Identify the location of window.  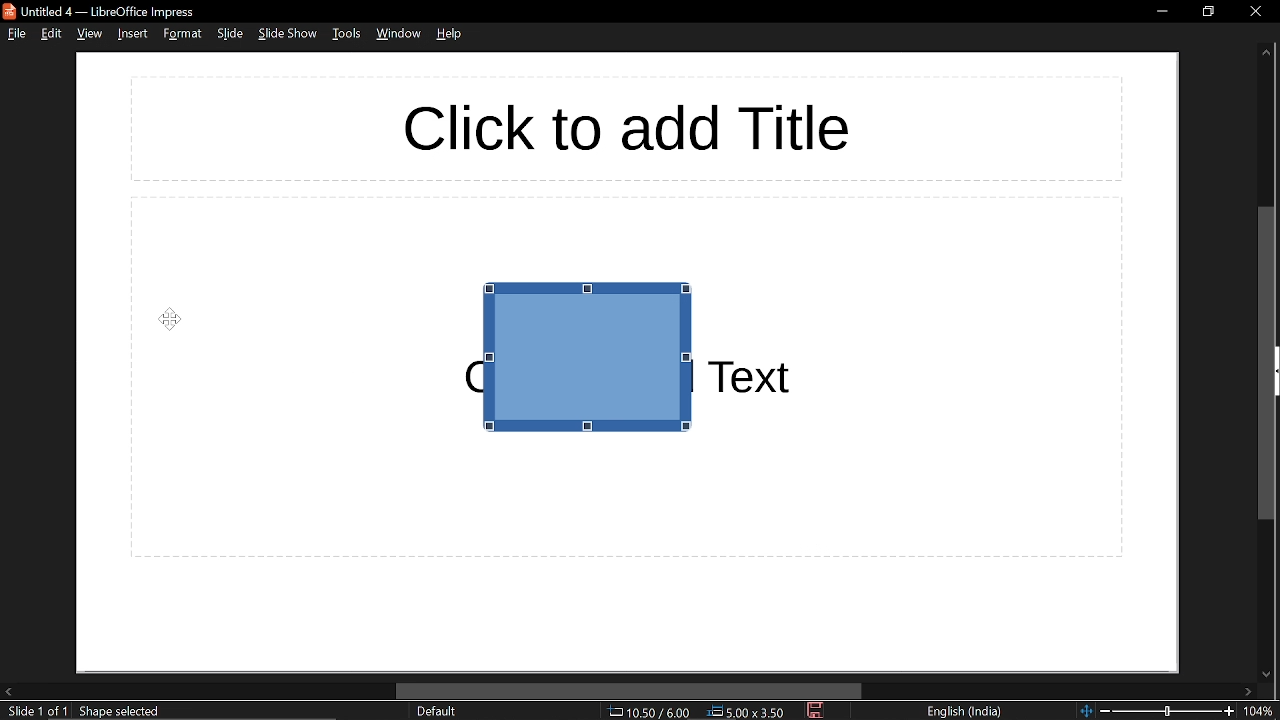
(398, 34).